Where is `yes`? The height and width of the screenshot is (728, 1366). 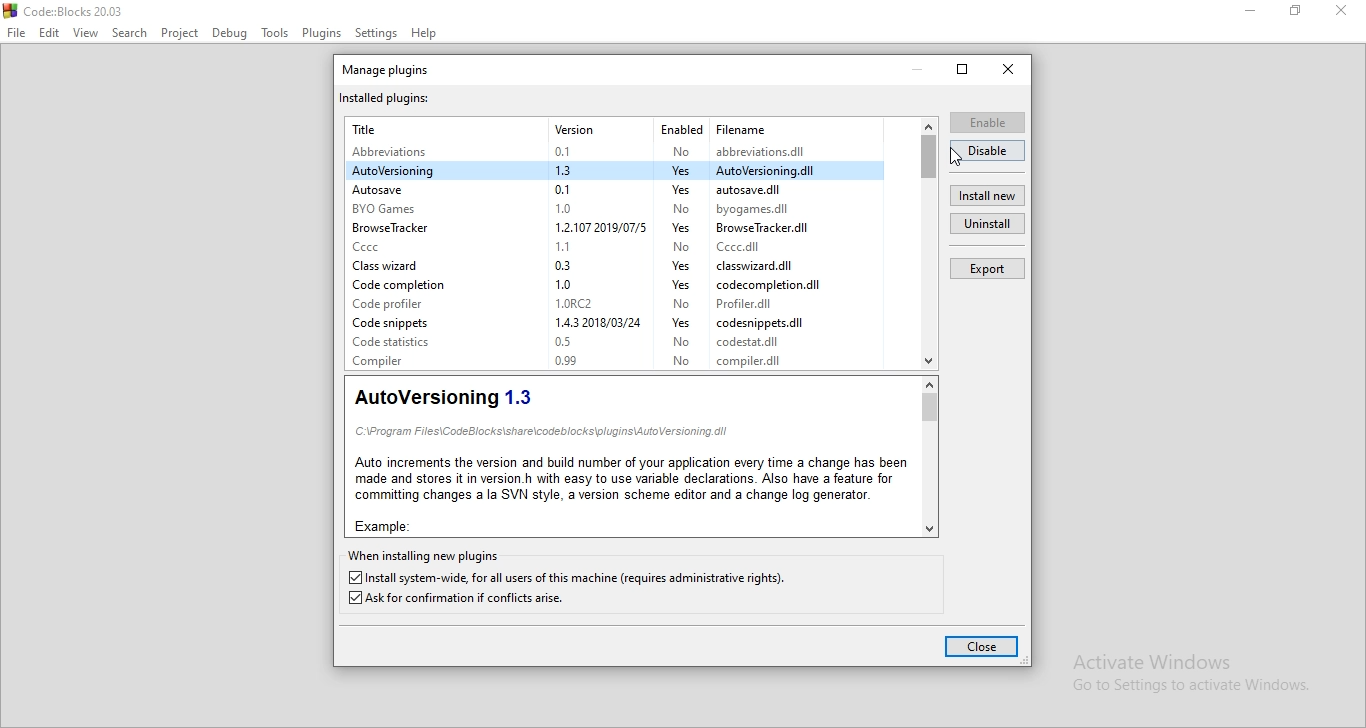 yes is located at coordinates (679, 169).